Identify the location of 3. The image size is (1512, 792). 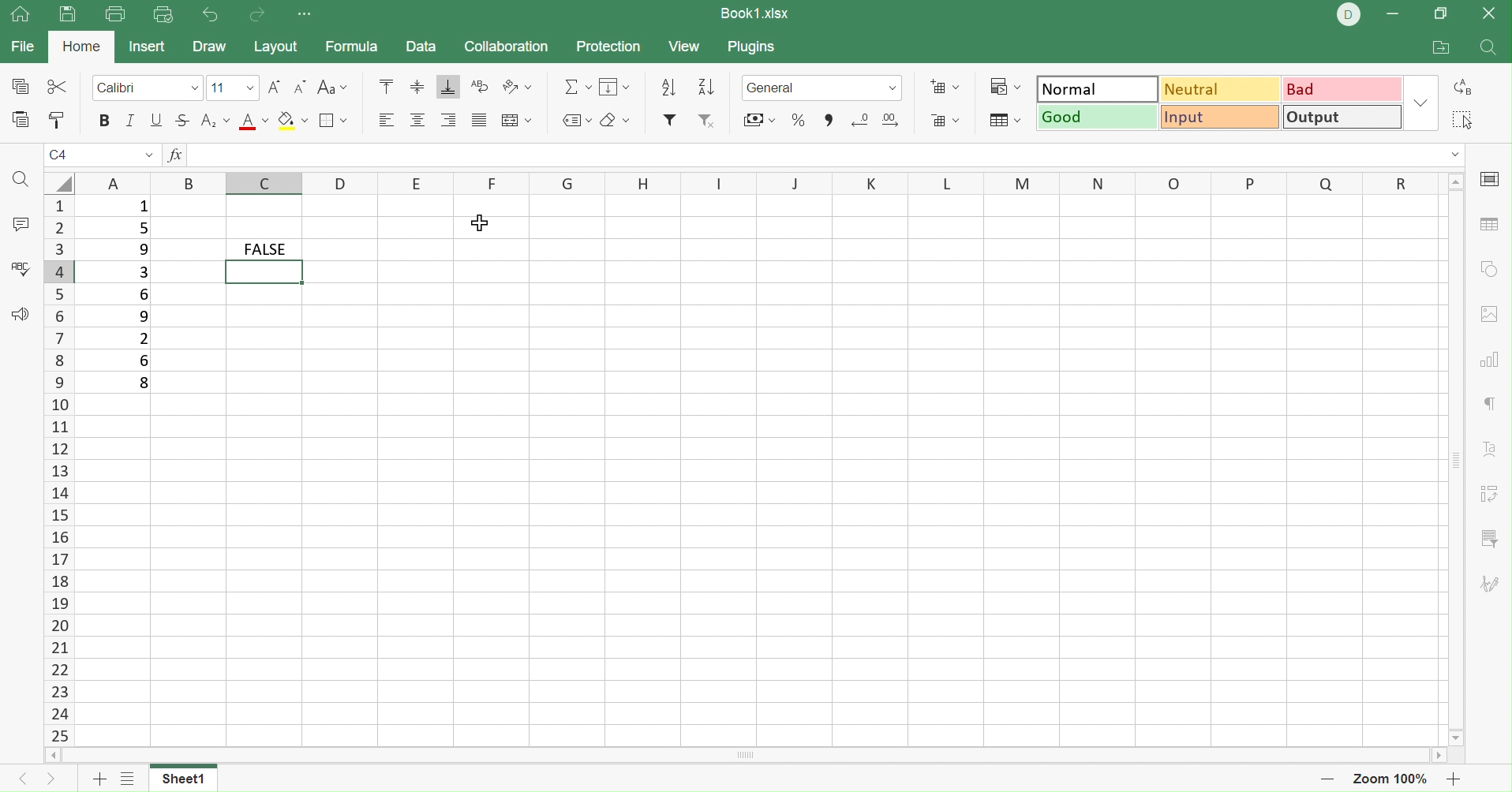
(142, 271).